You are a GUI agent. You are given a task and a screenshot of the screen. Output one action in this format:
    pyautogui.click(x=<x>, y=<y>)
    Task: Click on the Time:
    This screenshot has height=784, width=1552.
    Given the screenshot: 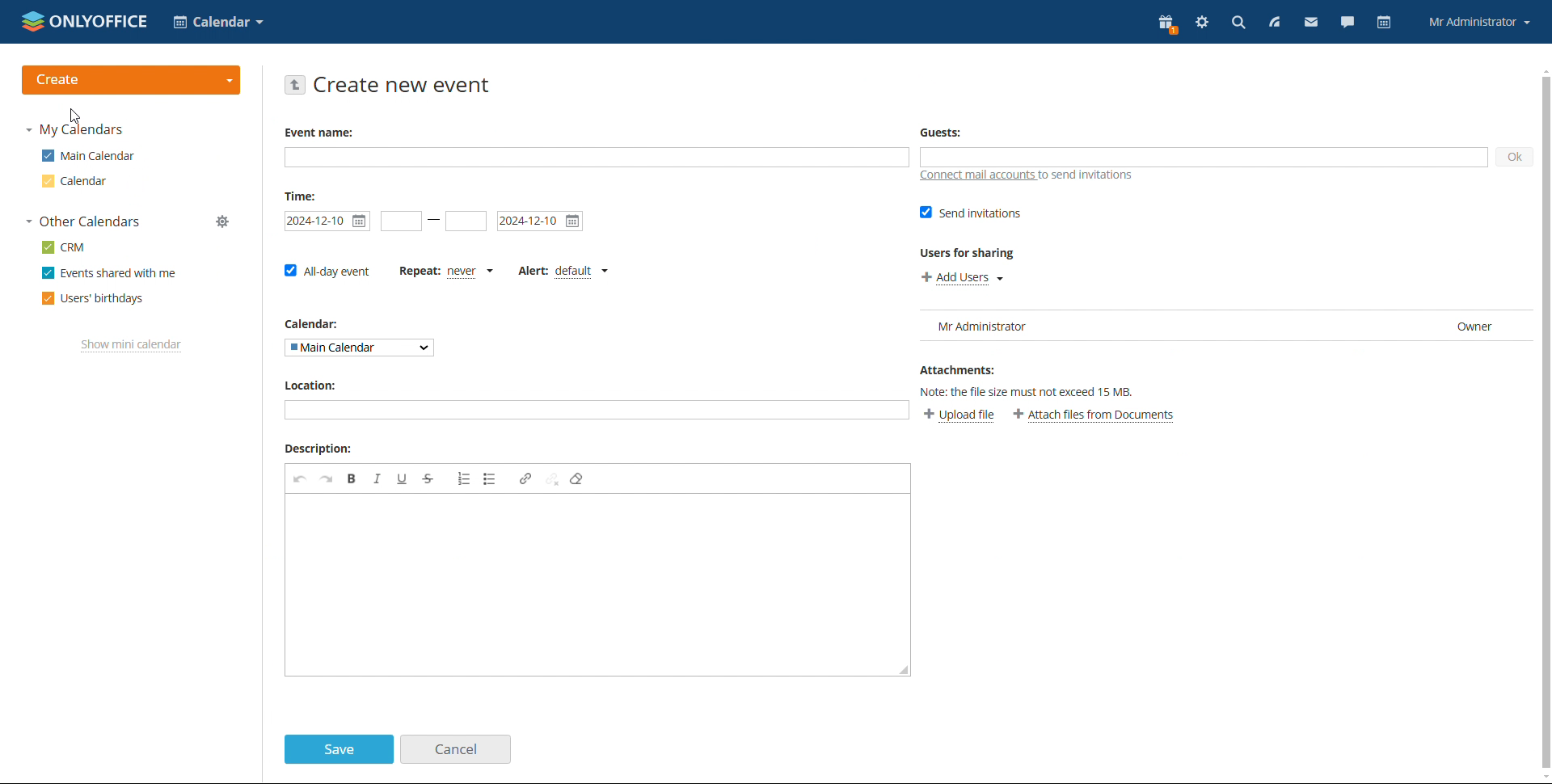 What is the action you would take?
    pyautogui.click(x=300, y=196)
    